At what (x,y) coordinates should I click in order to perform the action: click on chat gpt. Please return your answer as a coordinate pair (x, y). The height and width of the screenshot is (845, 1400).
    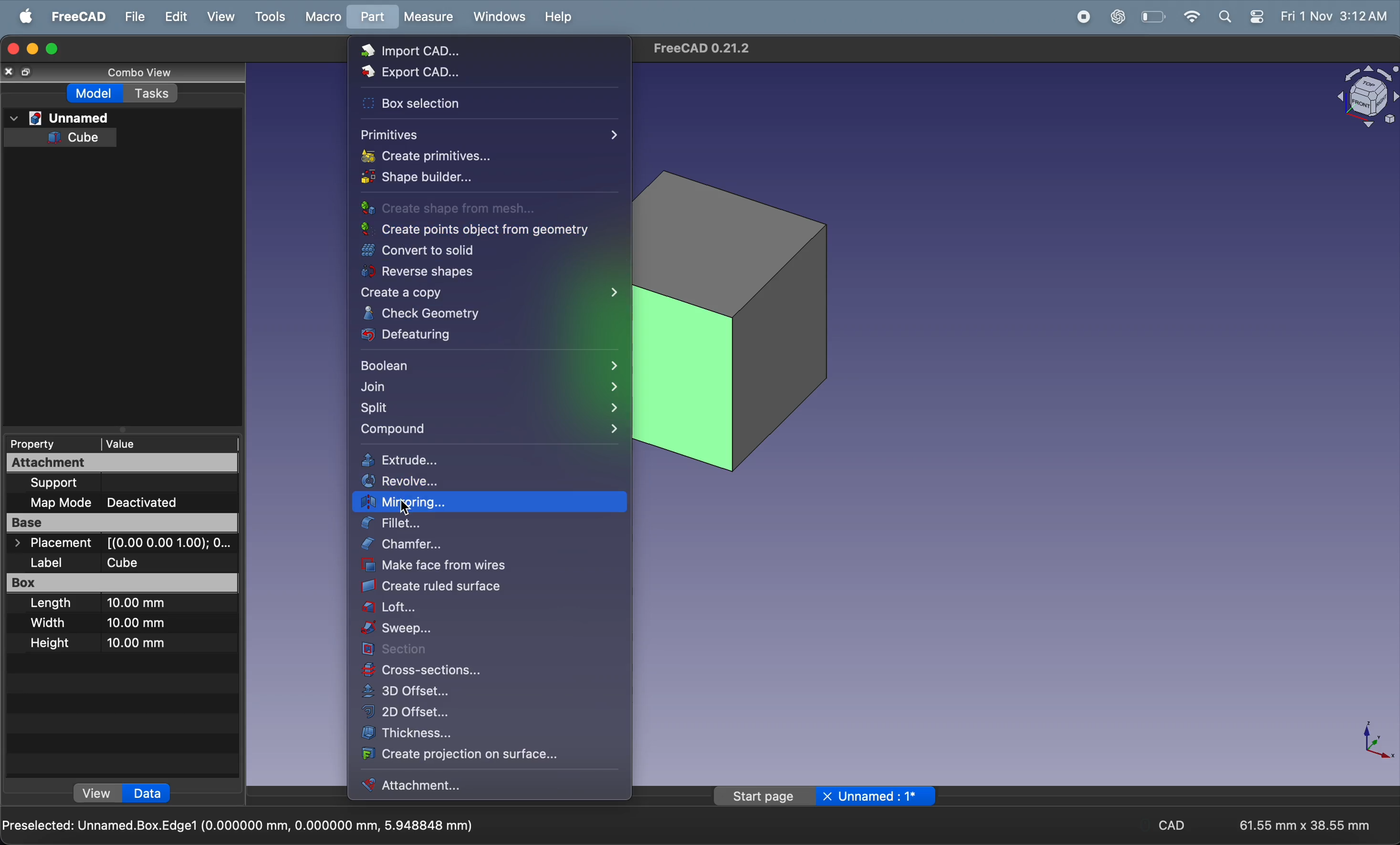
    Looking at the image, I should click on (1121, 16).